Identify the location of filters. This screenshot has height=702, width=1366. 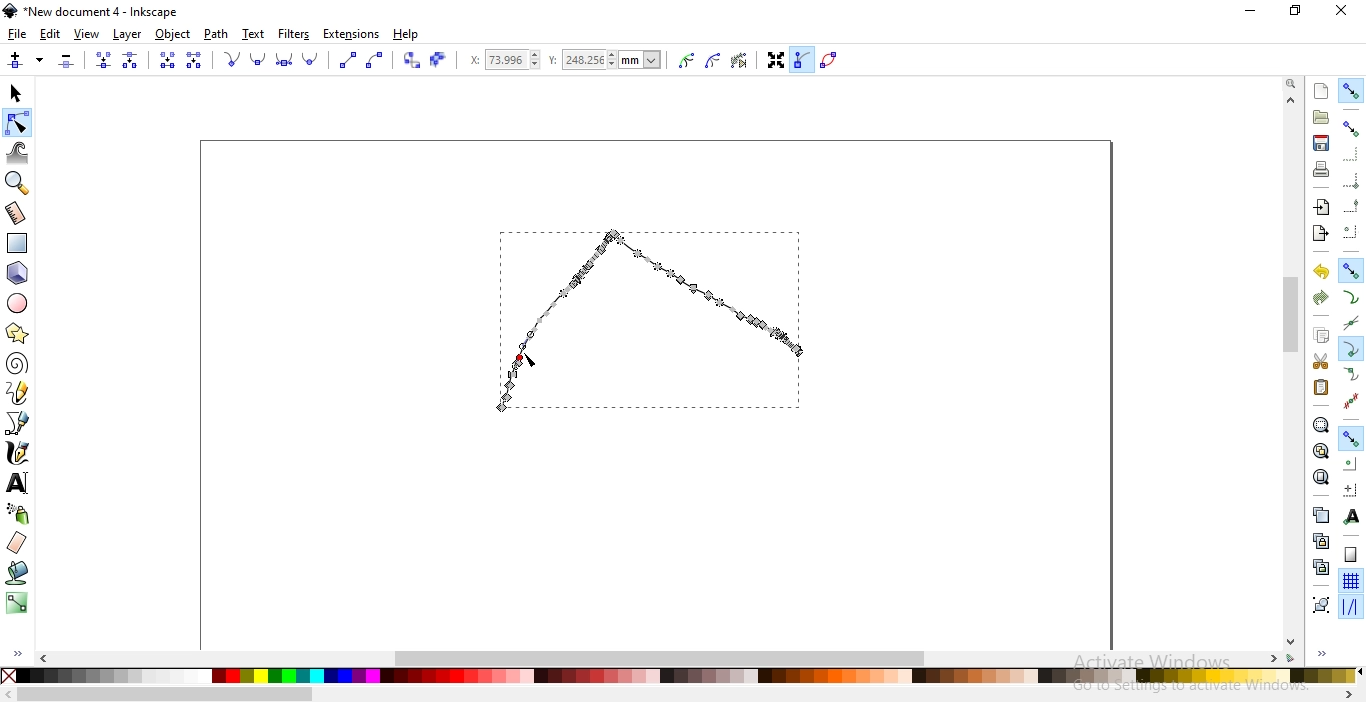
(295, 34).